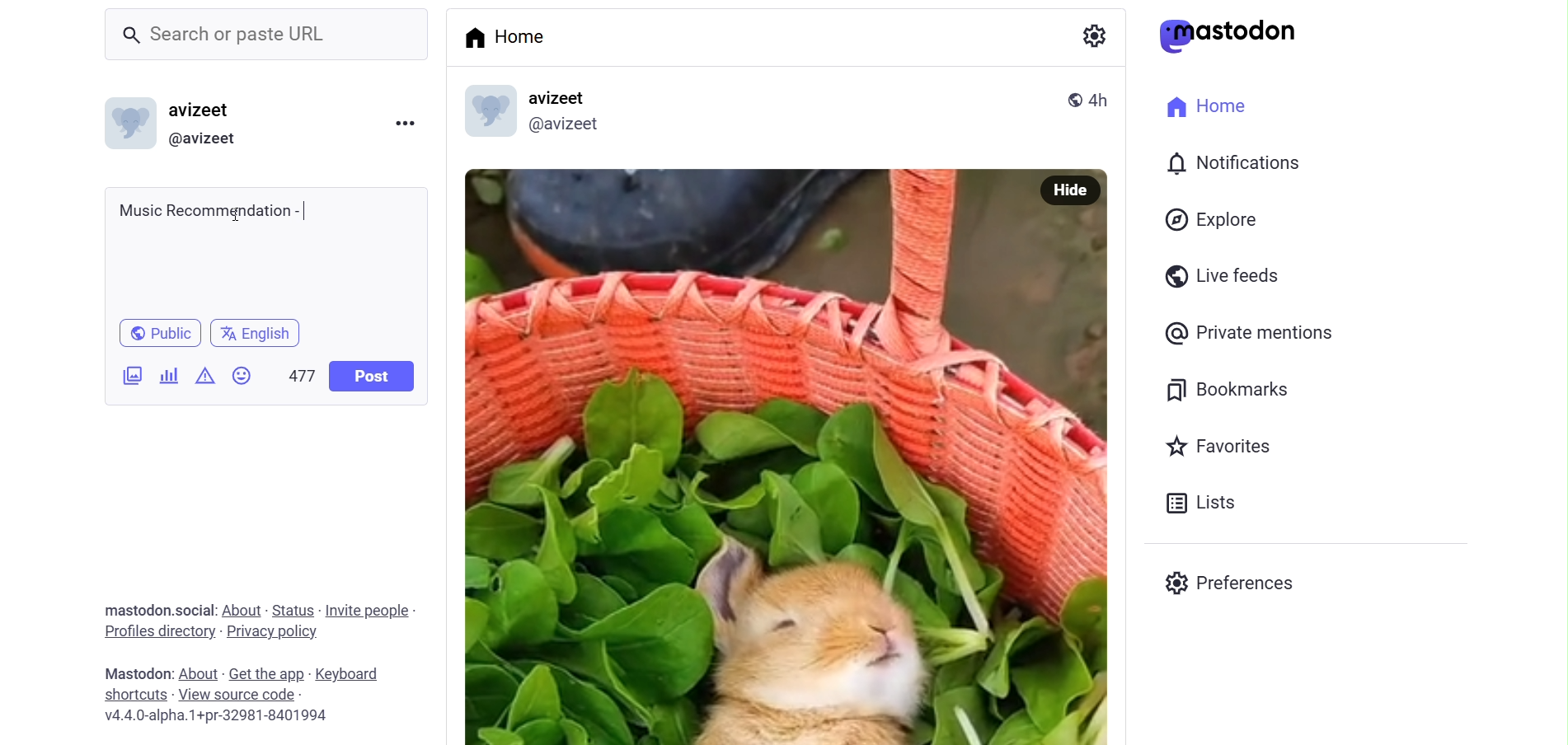  What do you see at coordinates (132, 374) in the screenshot?
I see `Add Image` at bounding box center [132, 374].